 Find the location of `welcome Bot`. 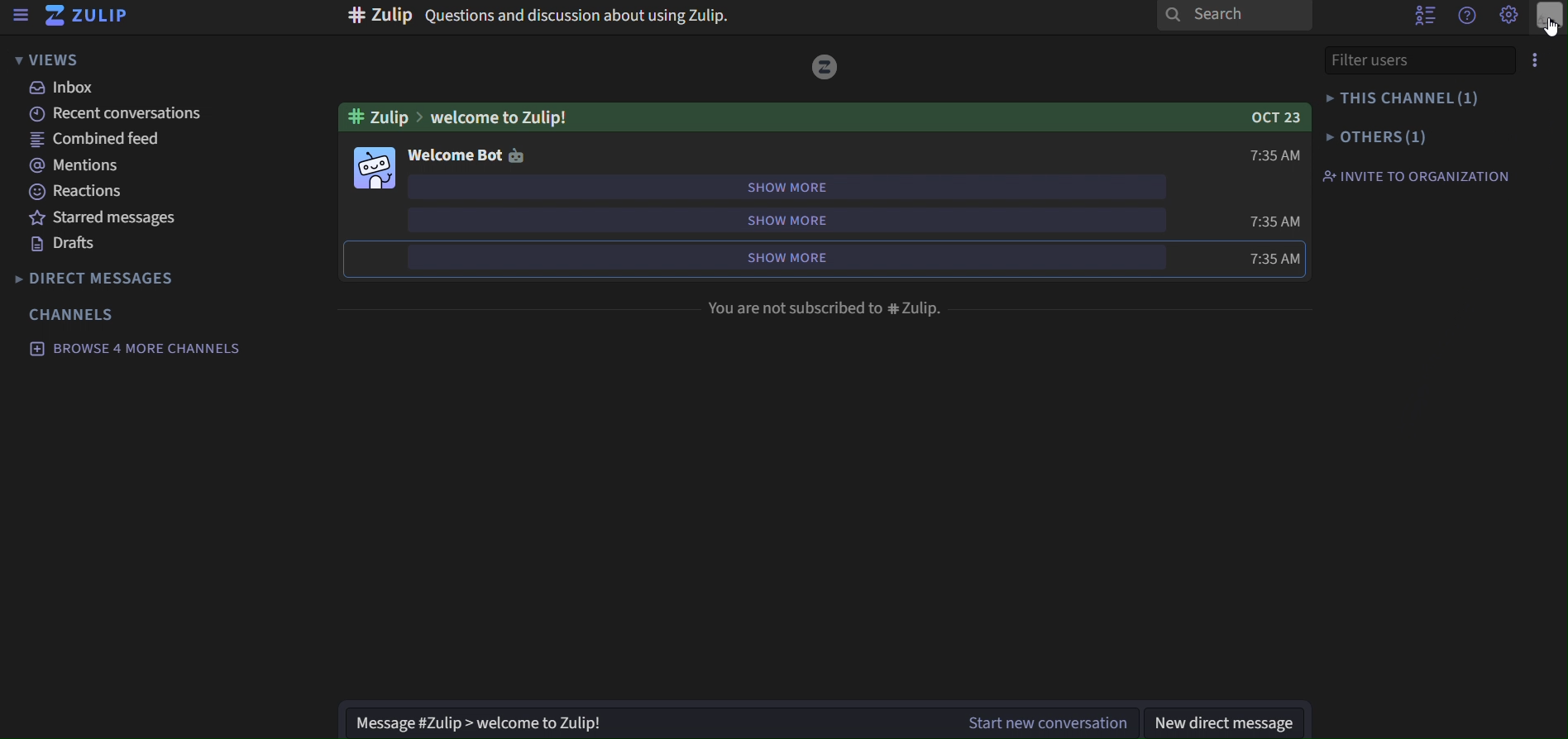

welcome Bot is located at coordinates (455, 155).